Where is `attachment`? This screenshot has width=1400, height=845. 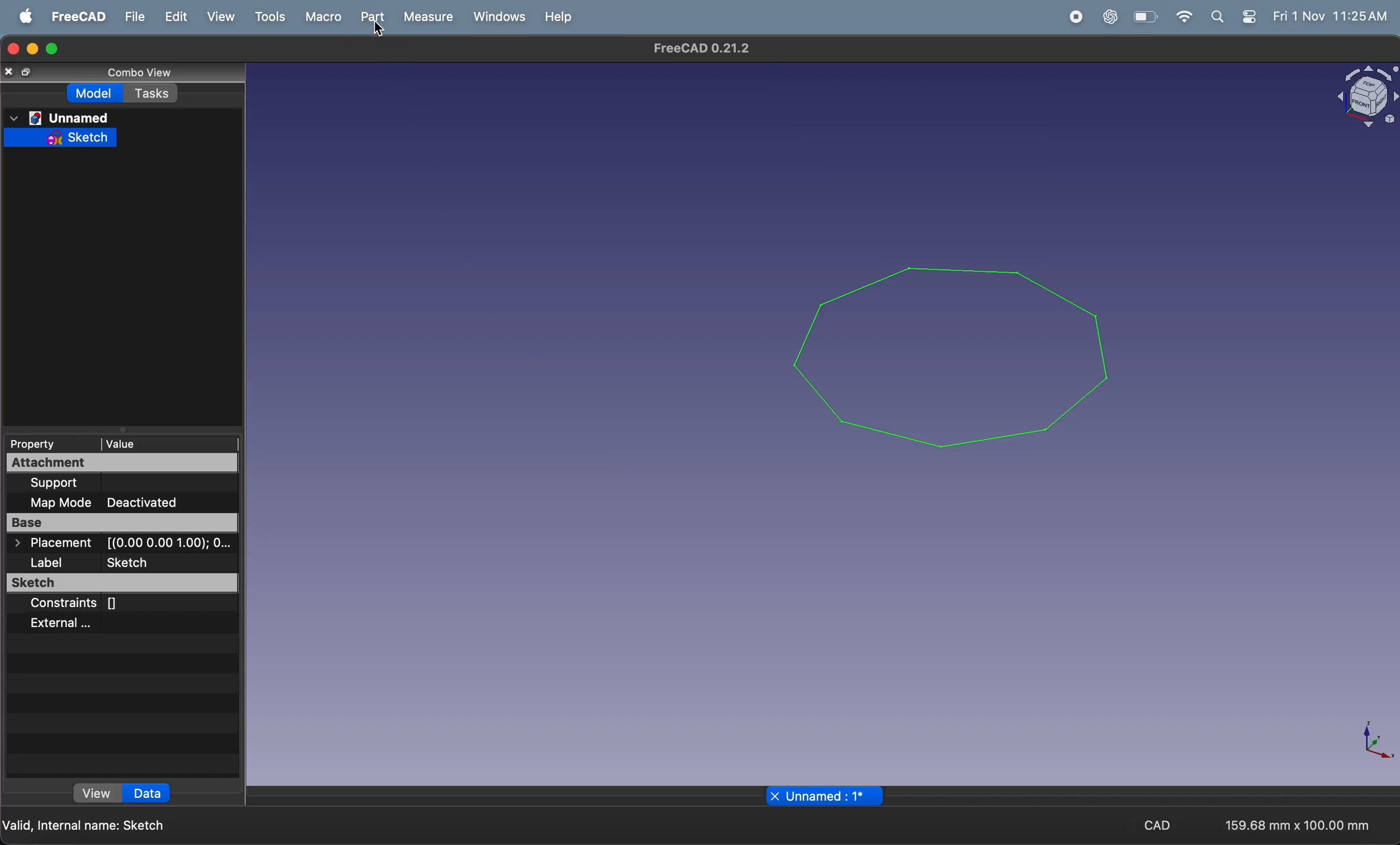 attachment is located at coordinates (111, 464).